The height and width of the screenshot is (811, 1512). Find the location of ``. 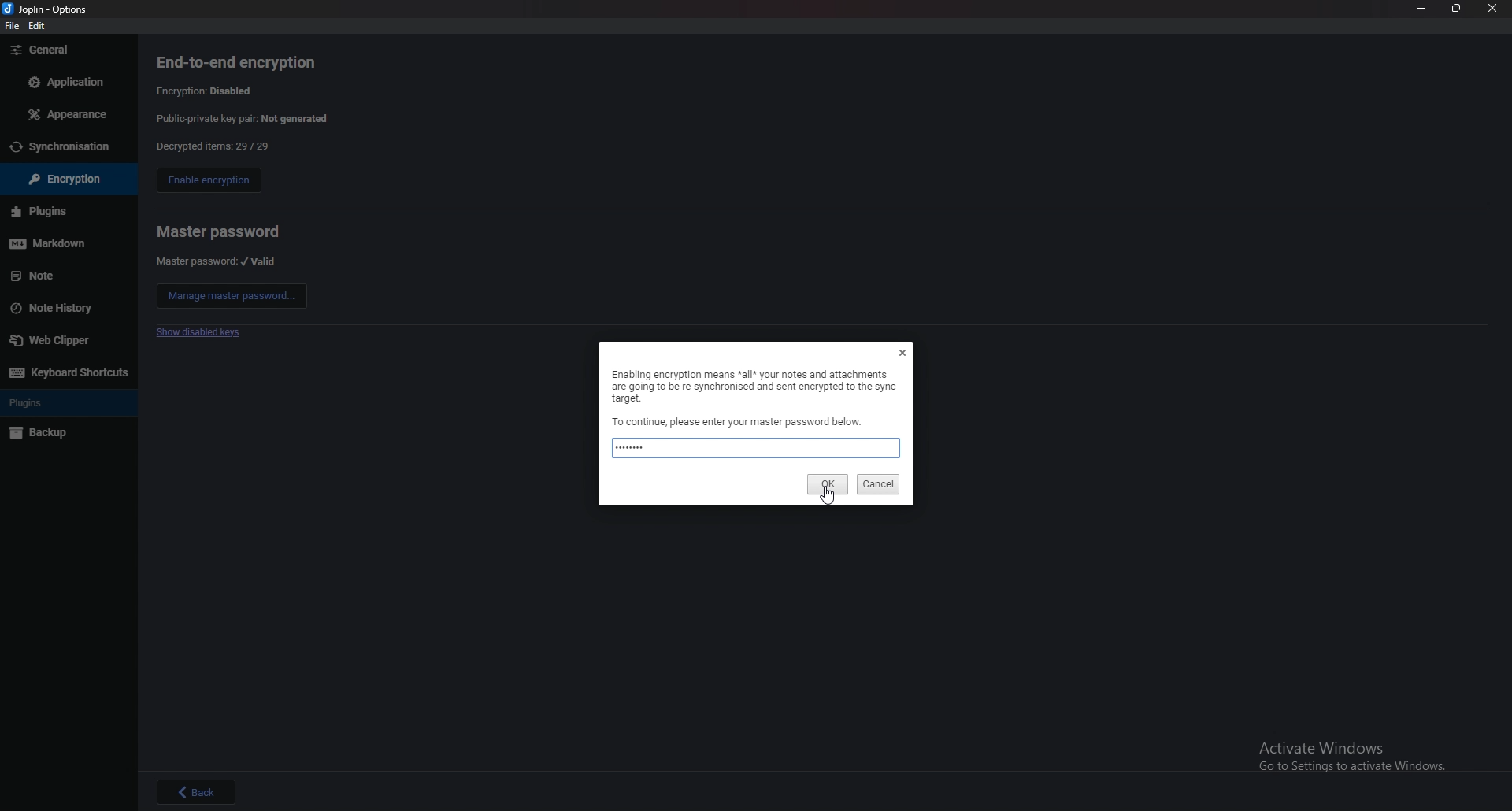

 is located at coordinates (66, 81).